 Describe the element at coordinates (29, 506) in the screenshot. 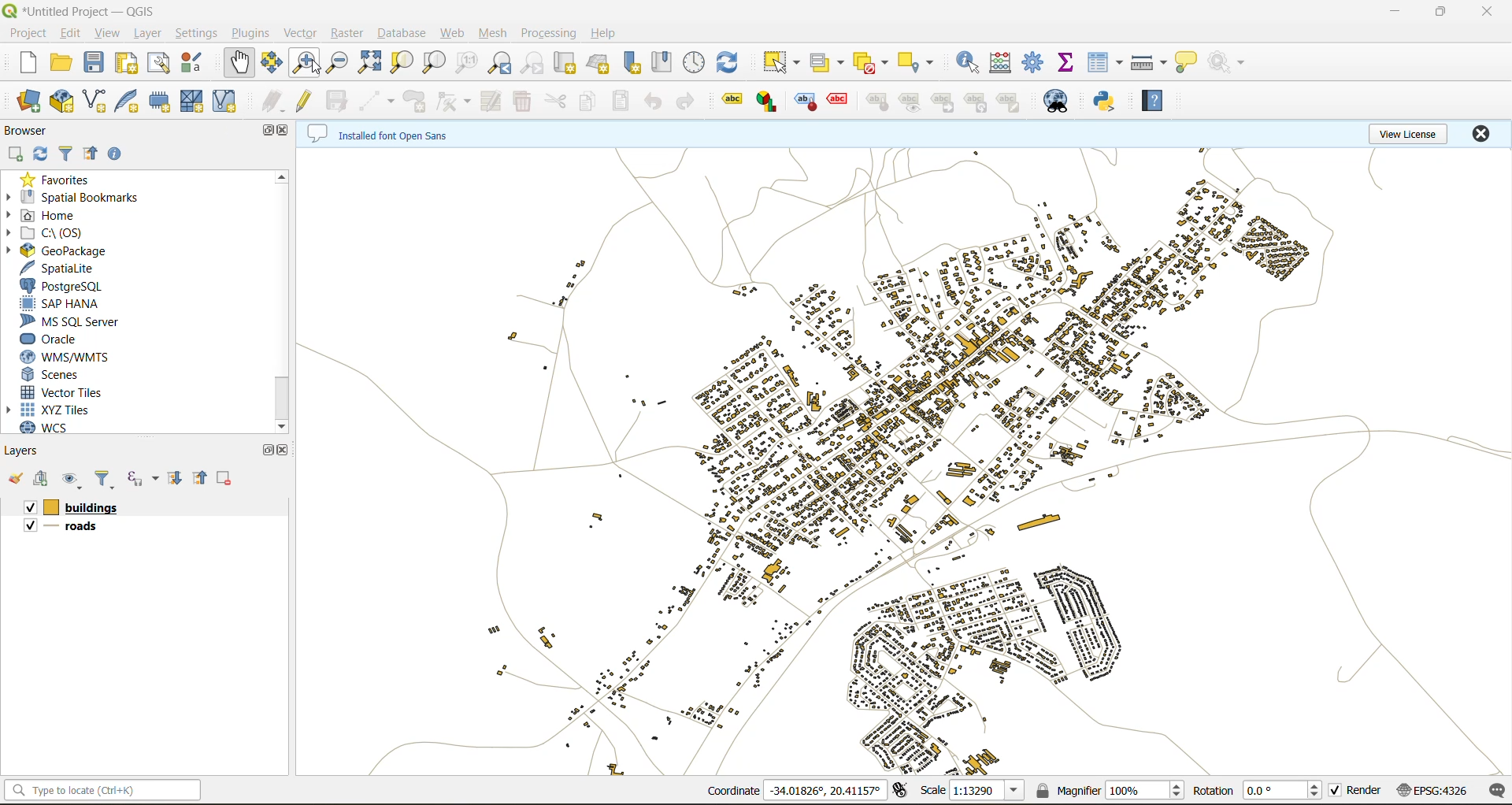

I see `Checkbox` at that location.